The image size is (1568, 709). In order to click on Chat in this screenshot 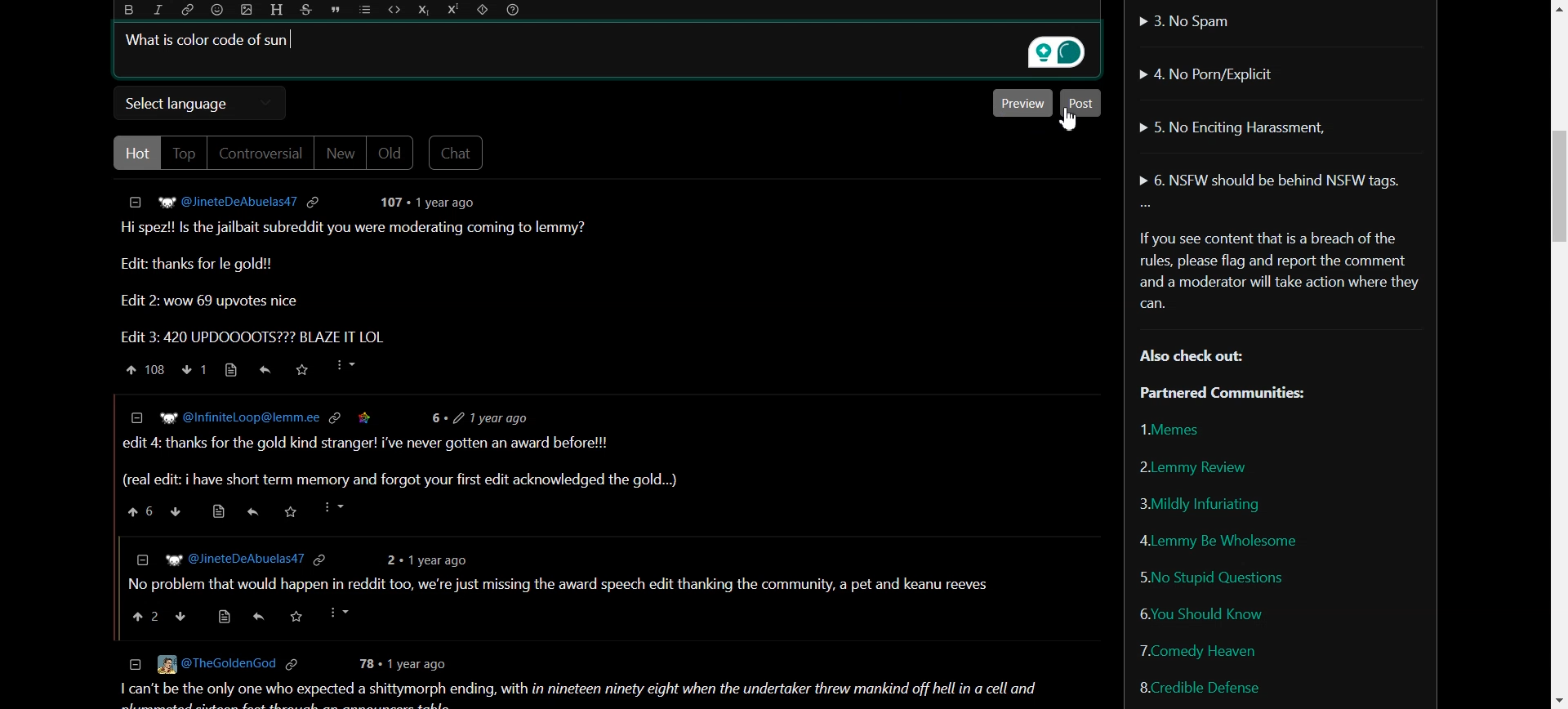, I will do `click(457, 153)`.